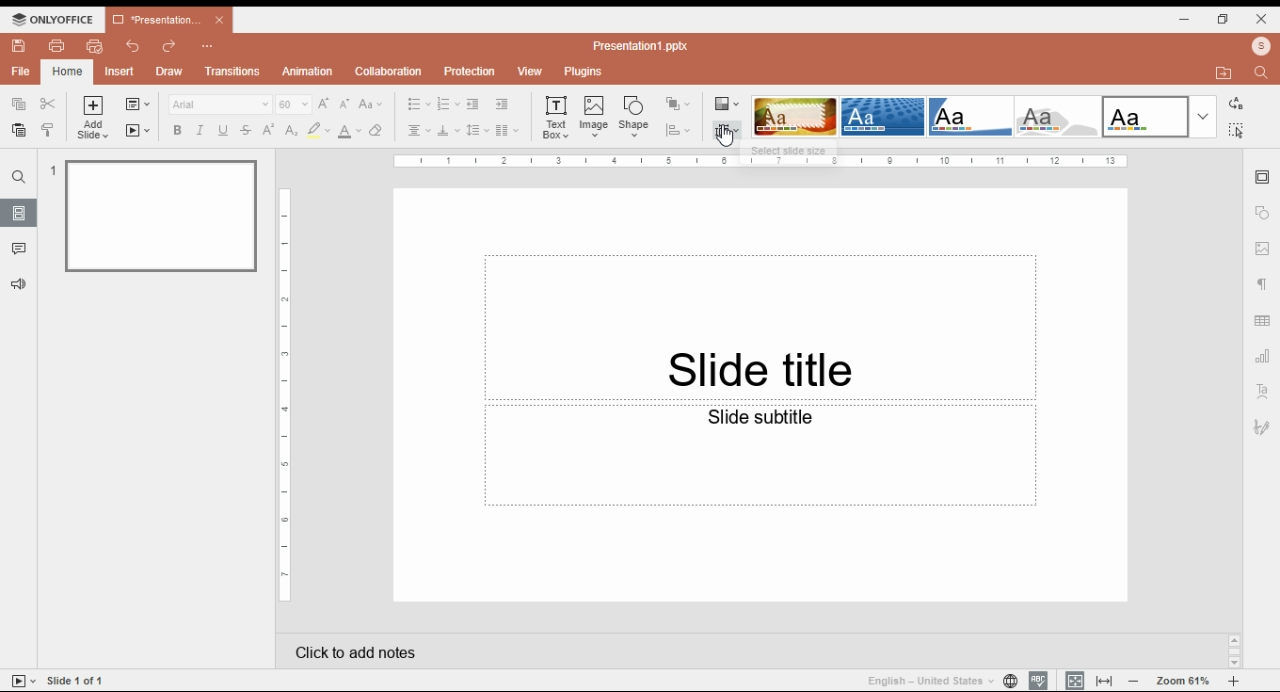 Image resolution: width=1280 pixels, height=692 pixels. I want to click on Slide title, so click(760, 328).